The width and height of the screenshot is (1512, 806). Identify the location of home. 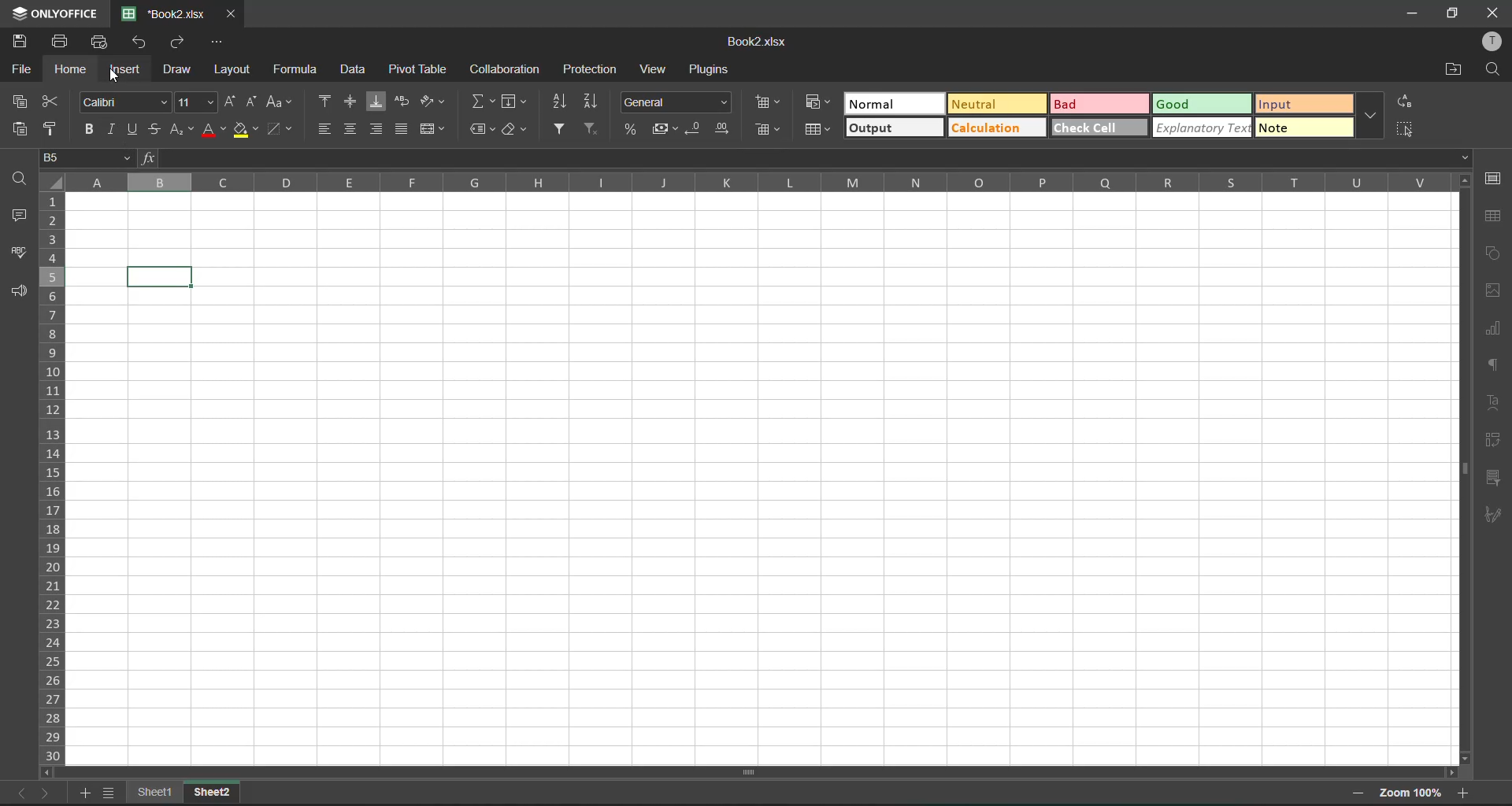
(75, 70).